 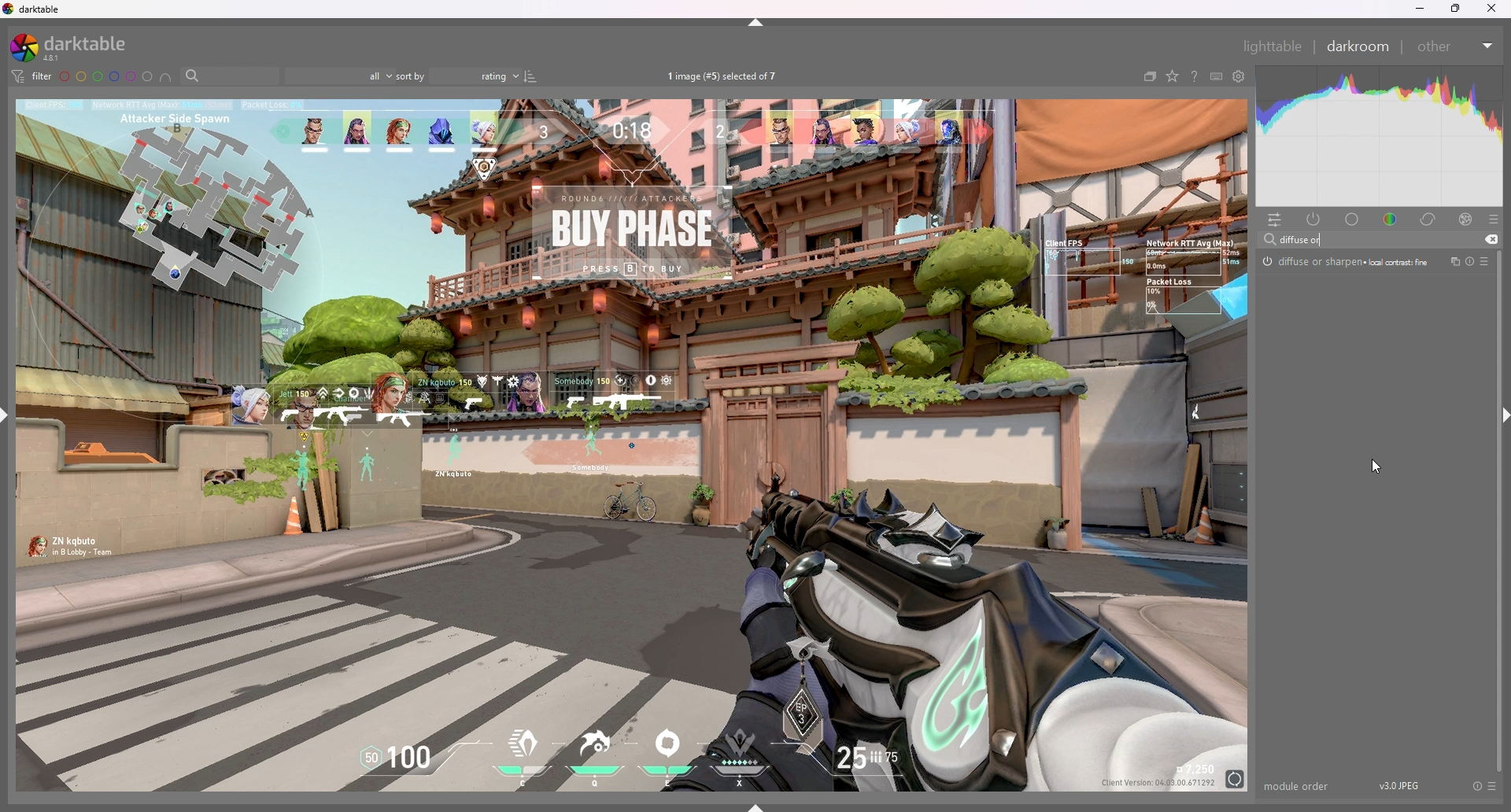 What do you see at coordinates (726, 76) in the screenshot?
I see `images selected` at bounding box center [726, 76].